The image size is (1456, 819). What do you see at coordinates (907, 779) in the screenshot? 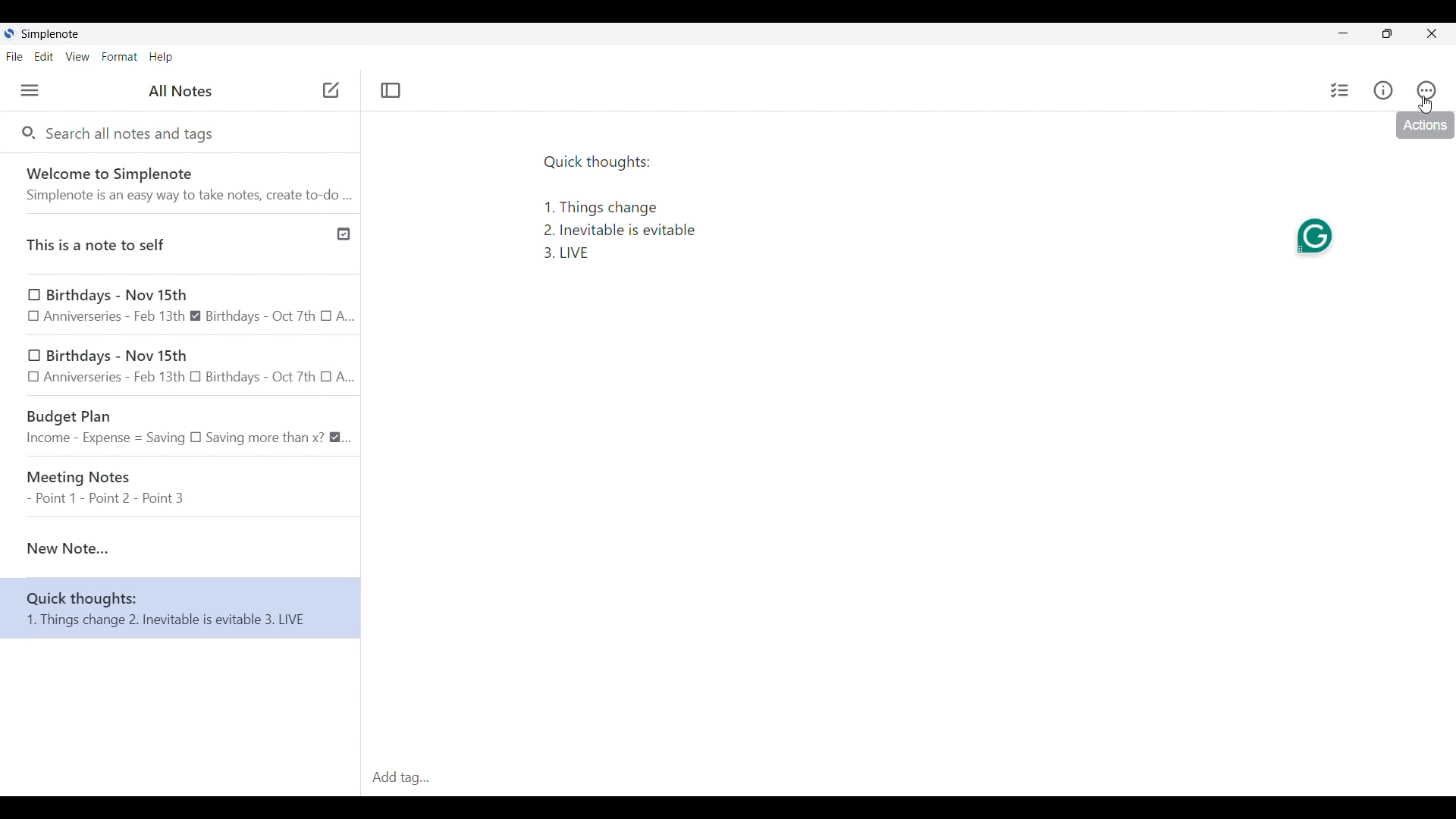
I see `Click to type in tags` at bounding box center [907, 779].